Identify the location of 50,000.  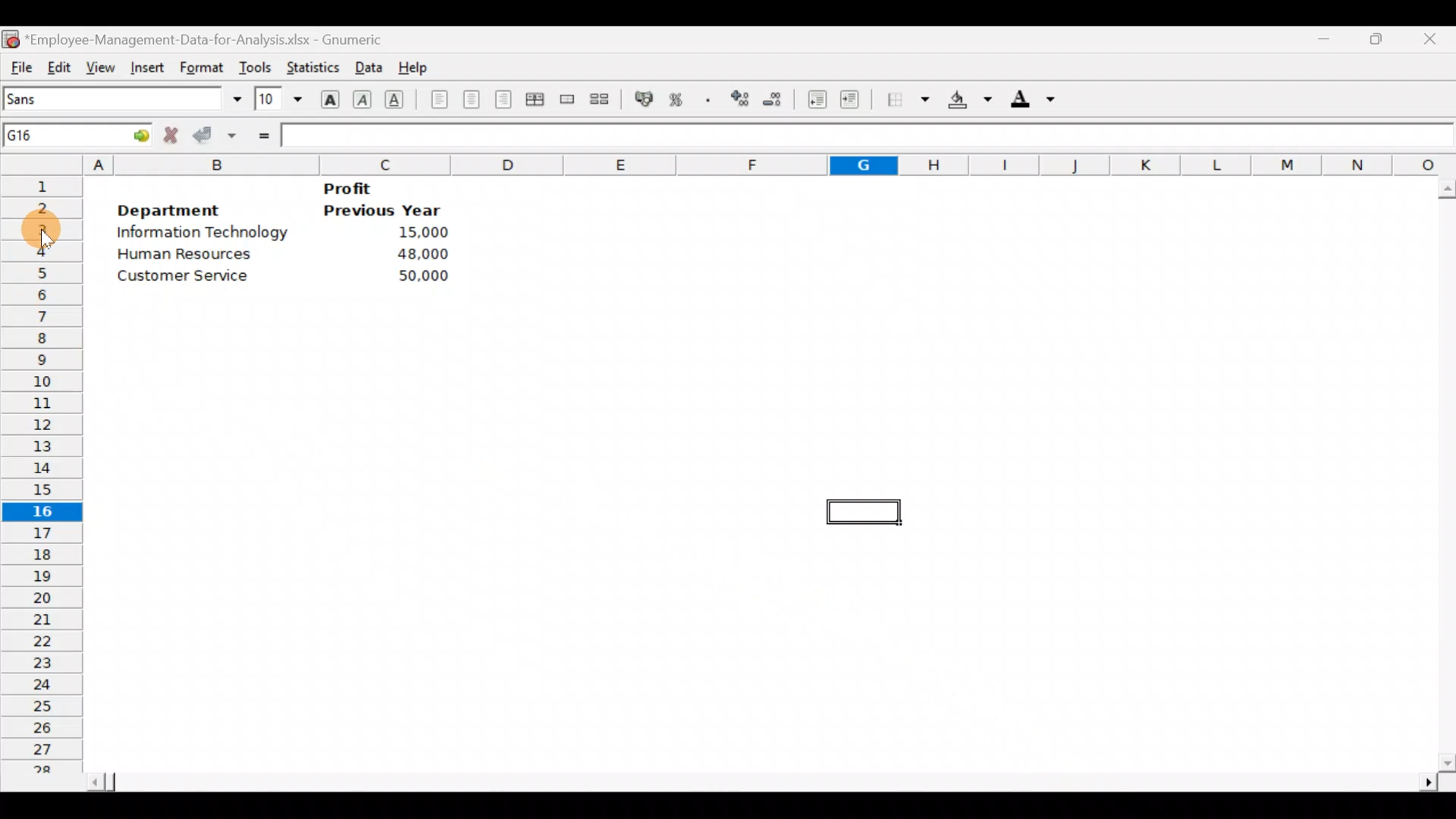
(417, 275).